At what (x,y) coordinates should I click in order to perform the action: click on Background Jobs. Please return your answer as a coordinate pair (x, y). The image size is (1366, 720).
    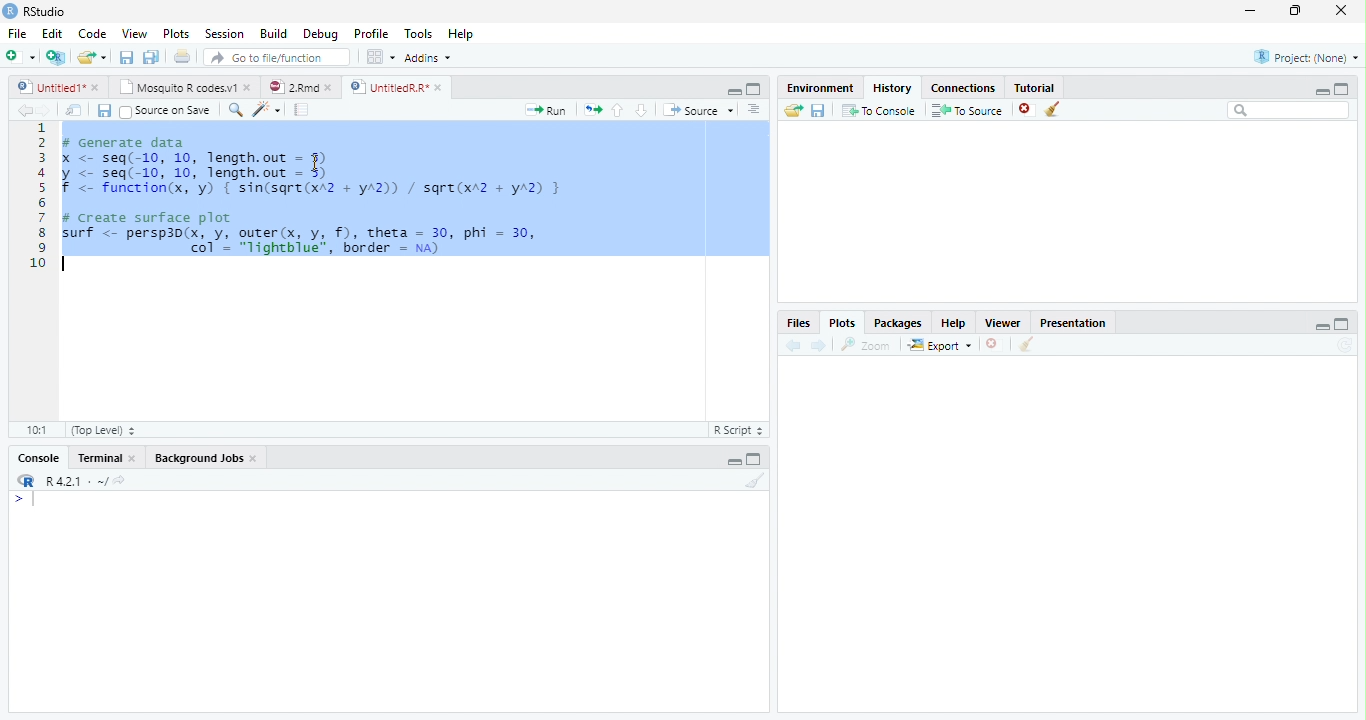
    Looking at the image, I should click on (199, 458).